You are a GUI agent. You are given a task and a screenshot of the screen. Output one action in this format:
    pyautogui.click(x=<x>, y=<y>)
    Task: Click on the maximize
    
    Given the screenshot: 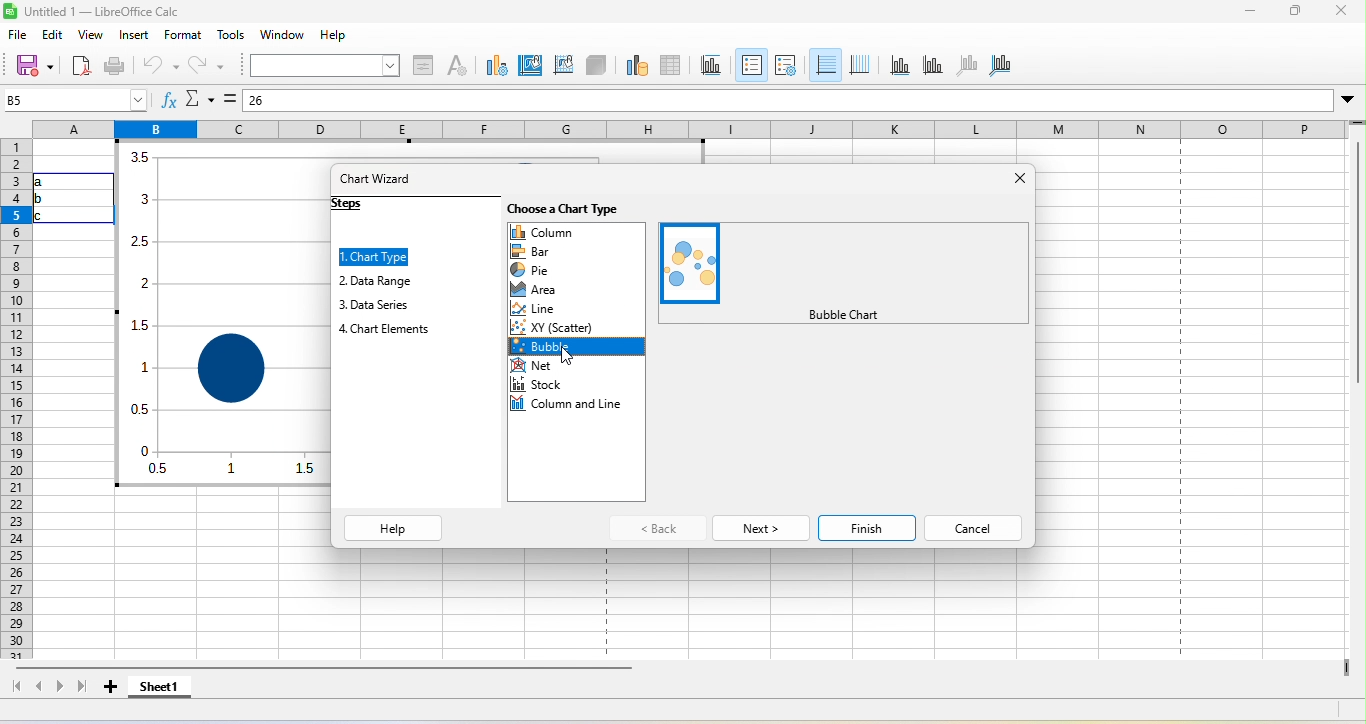 What is the action you would take?
    pyautogui.click(x=1297, y=13)
    